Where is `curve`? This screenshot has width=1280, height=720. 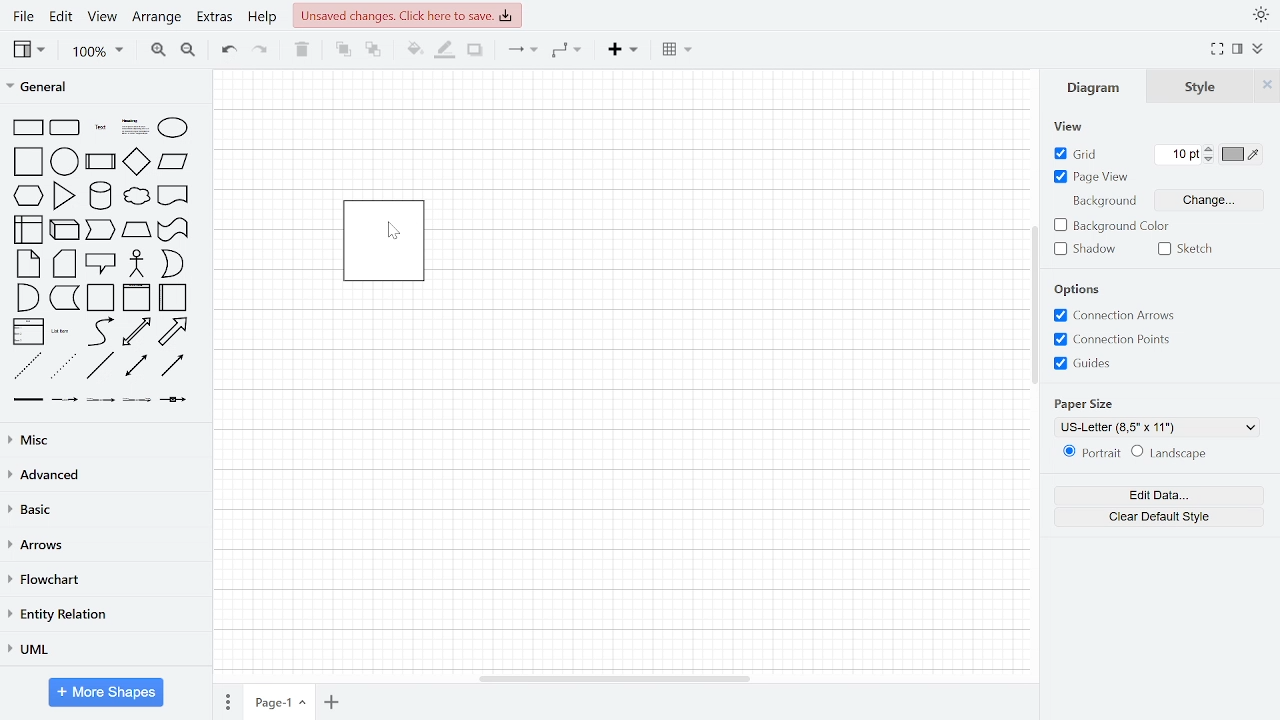
curve is located at coordinates (99, 332).